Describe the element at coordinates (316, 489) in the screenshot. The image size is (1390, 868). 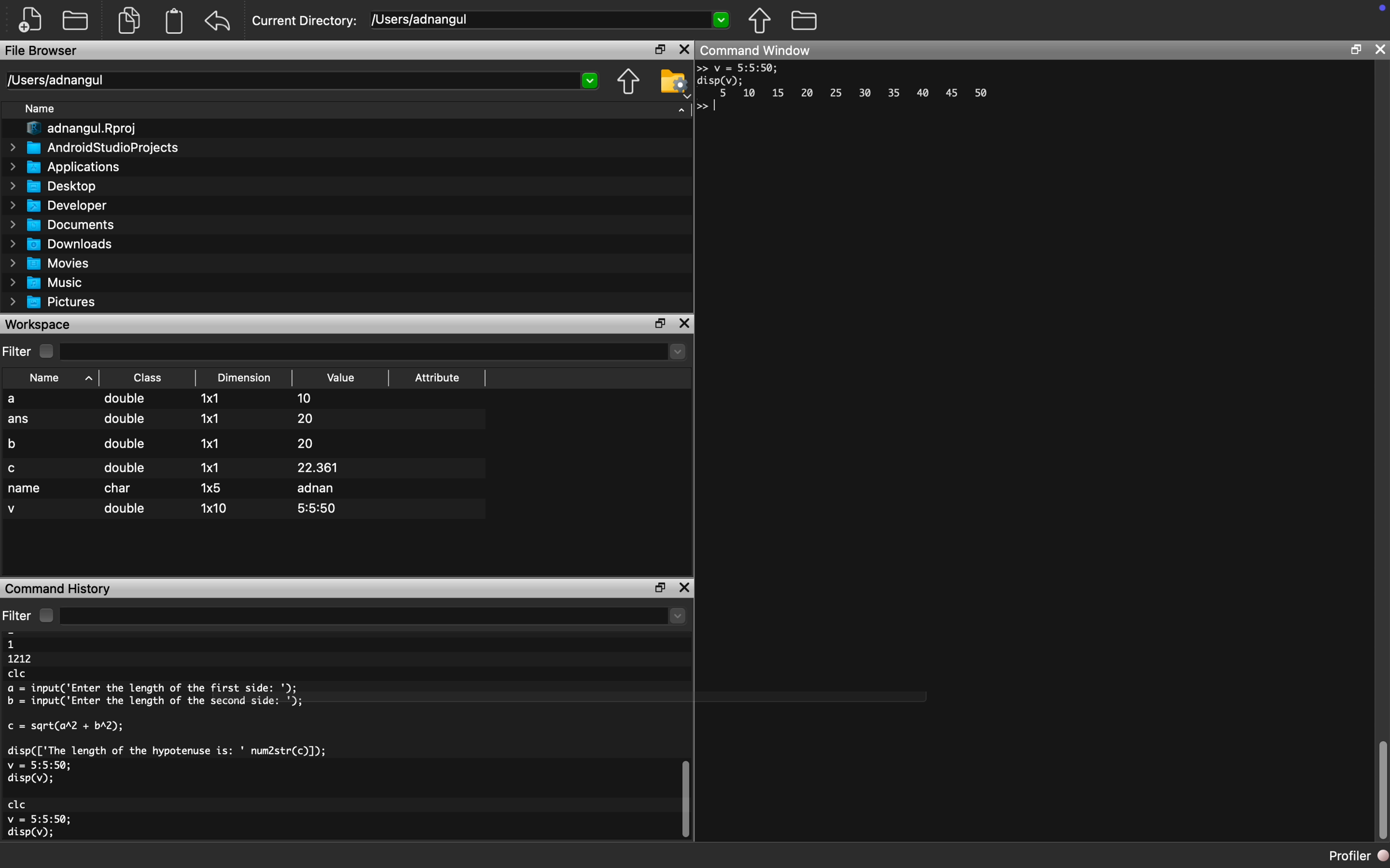
I see `adnan` at that location.